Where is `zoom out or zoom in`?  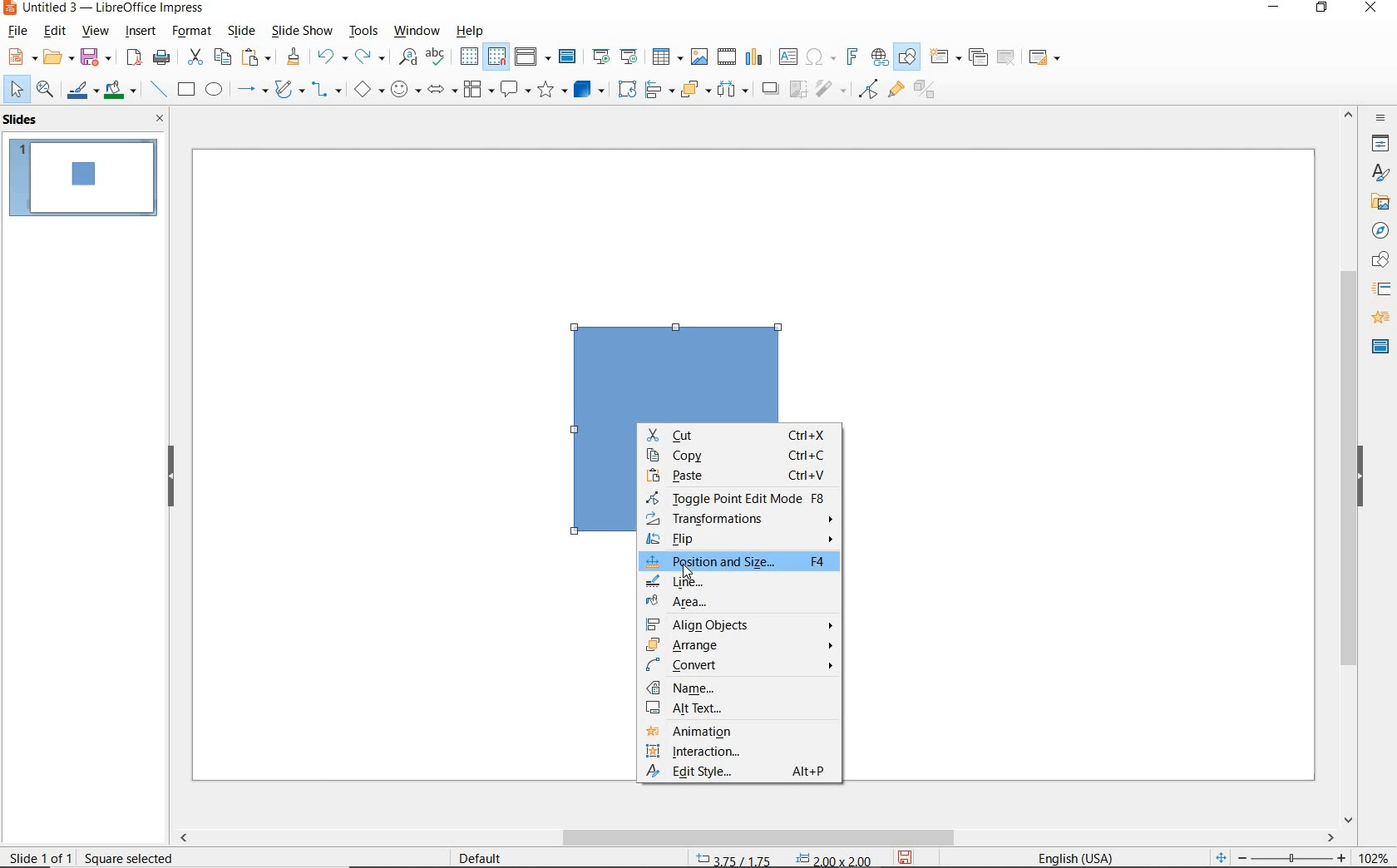 zoom out or zoom in is located at coordinates (1281, 856).